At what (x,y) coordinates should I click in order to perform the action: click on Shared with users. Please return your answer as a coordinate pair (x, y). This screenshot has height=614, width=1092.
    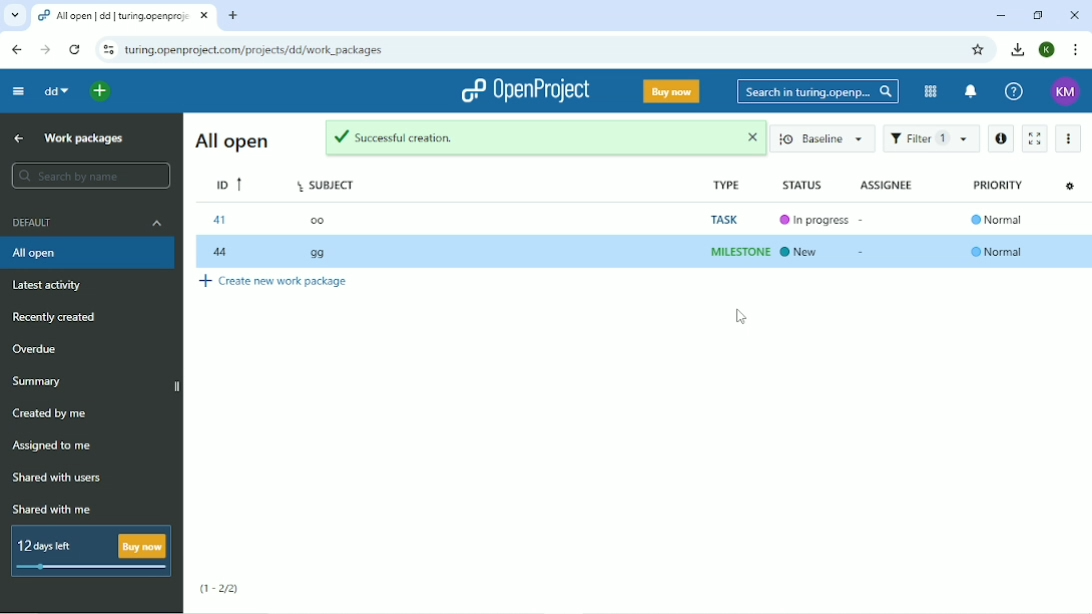
    Looking at the image, I should click on (58, 477).